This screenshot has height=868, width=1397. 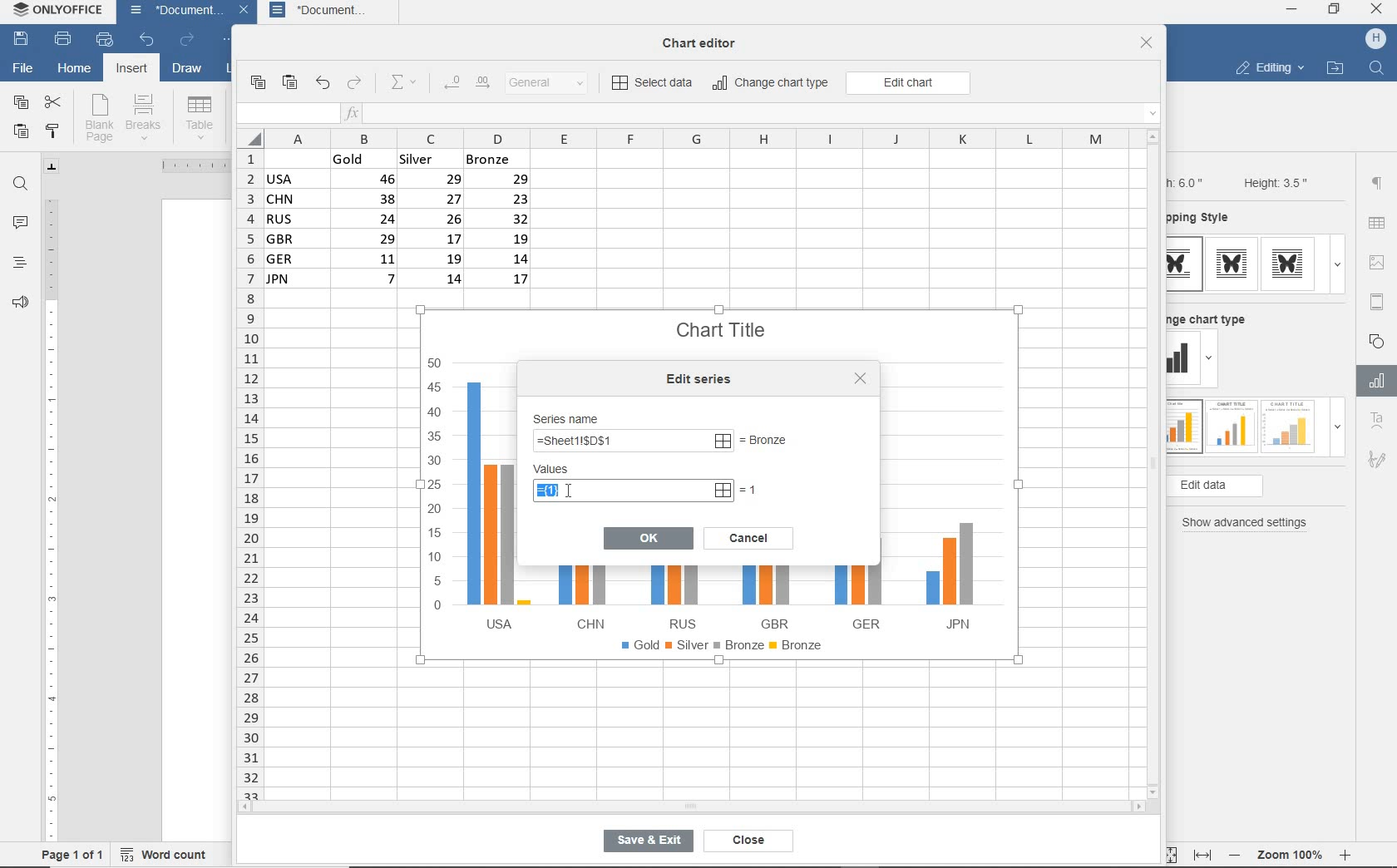 What do you see at coordinates (405, 224) in the screenshot?
I see `data` at bounding box center [405, 224].